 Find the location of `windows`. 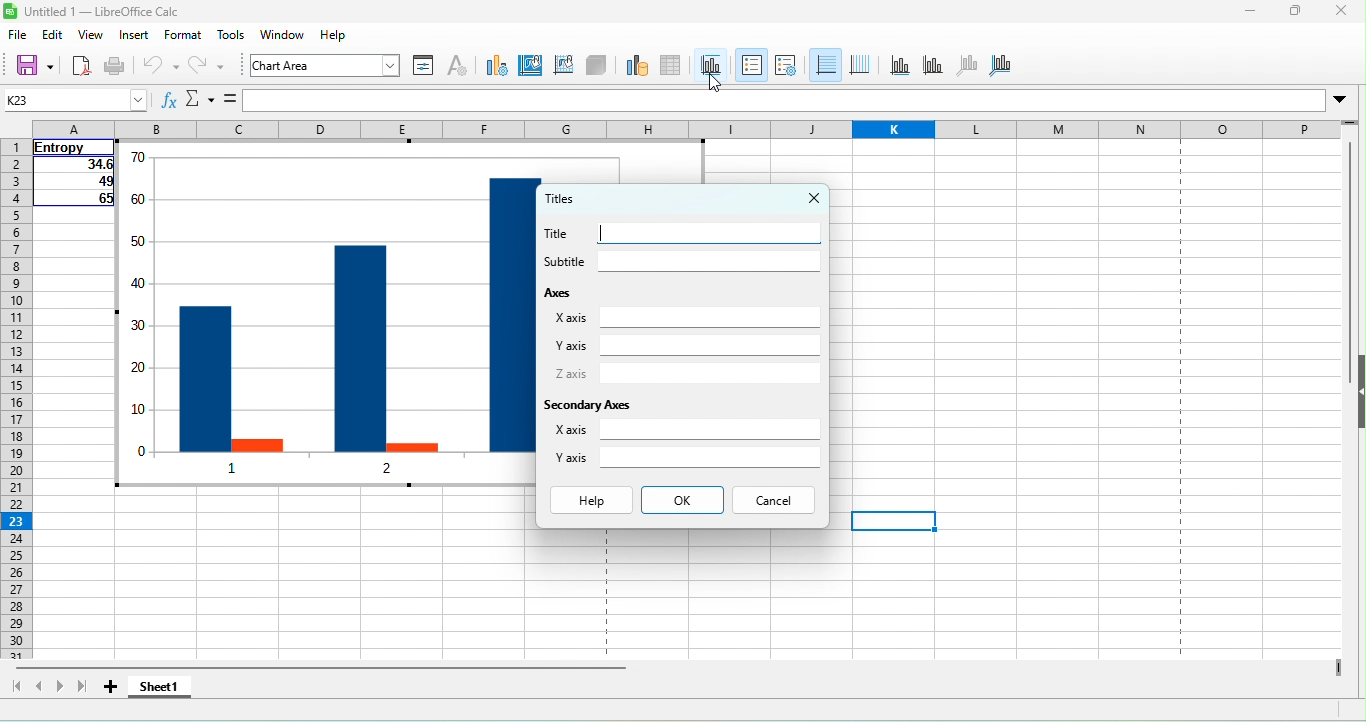

windows is located at coordinates (280, 38).